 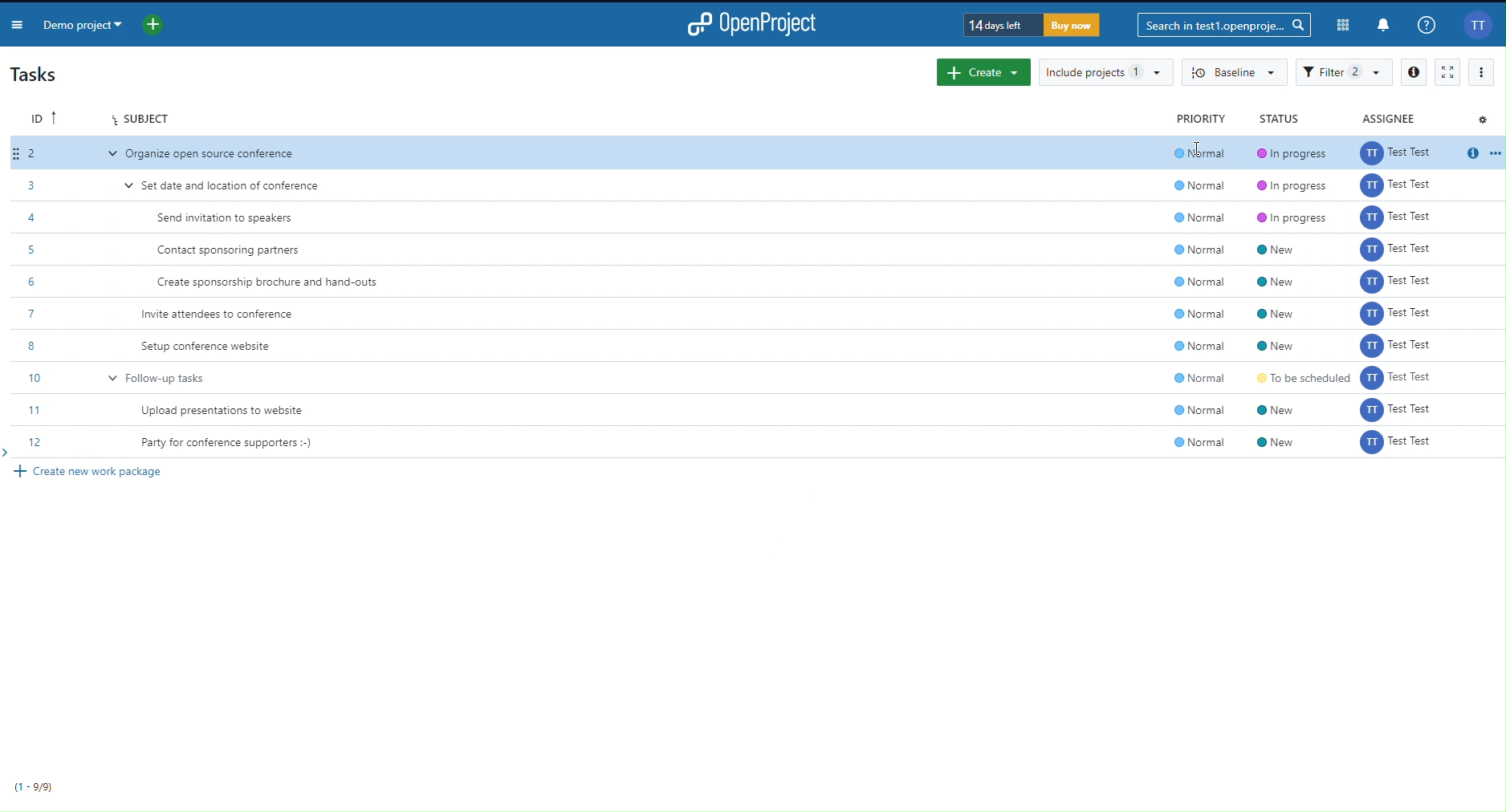 What do you see at coordinates (1385, 26) in the screenshot?
I see `Notification` at bounding box center [1385, 26].